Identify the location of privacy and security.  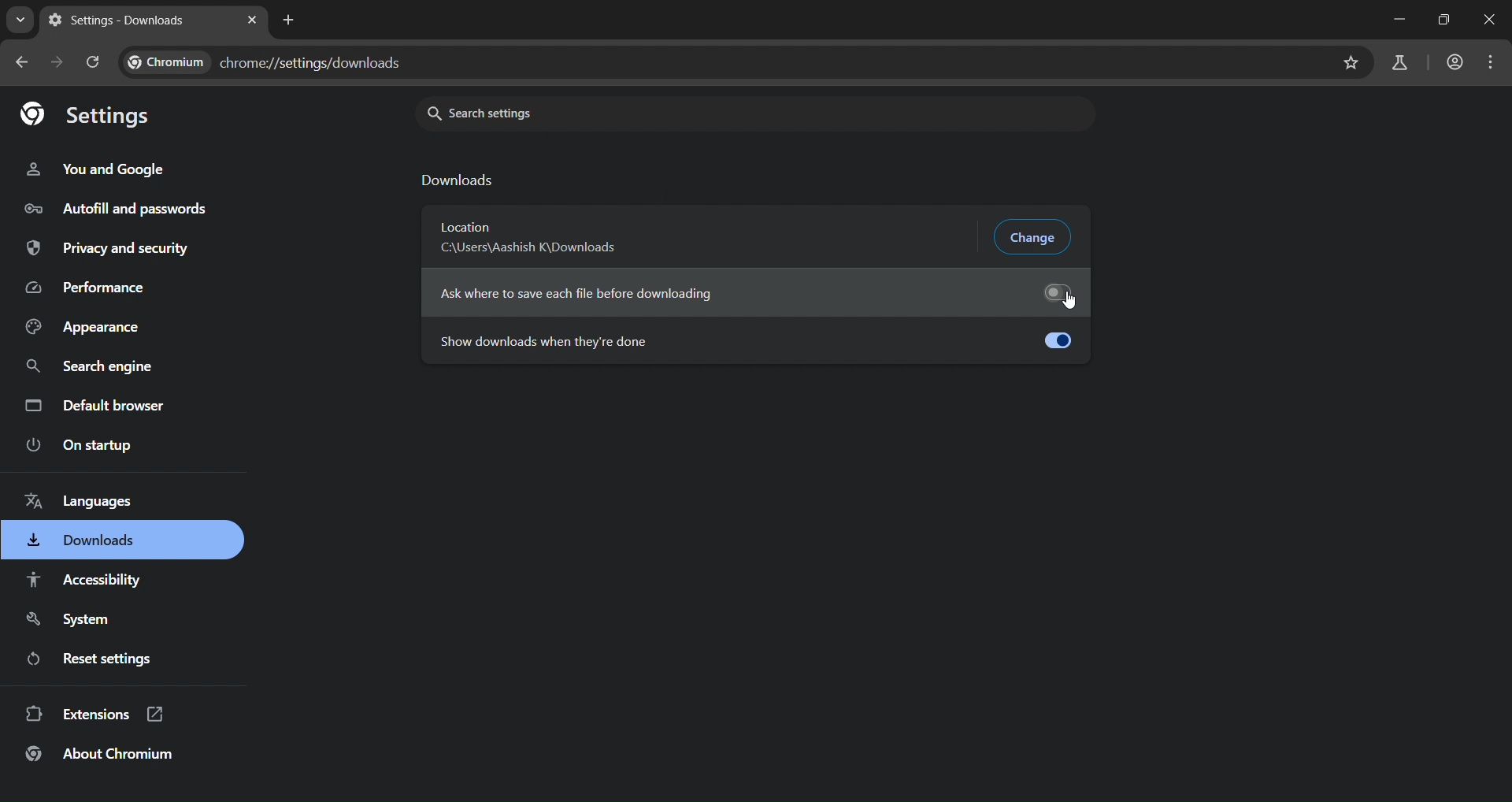
(112, 249).